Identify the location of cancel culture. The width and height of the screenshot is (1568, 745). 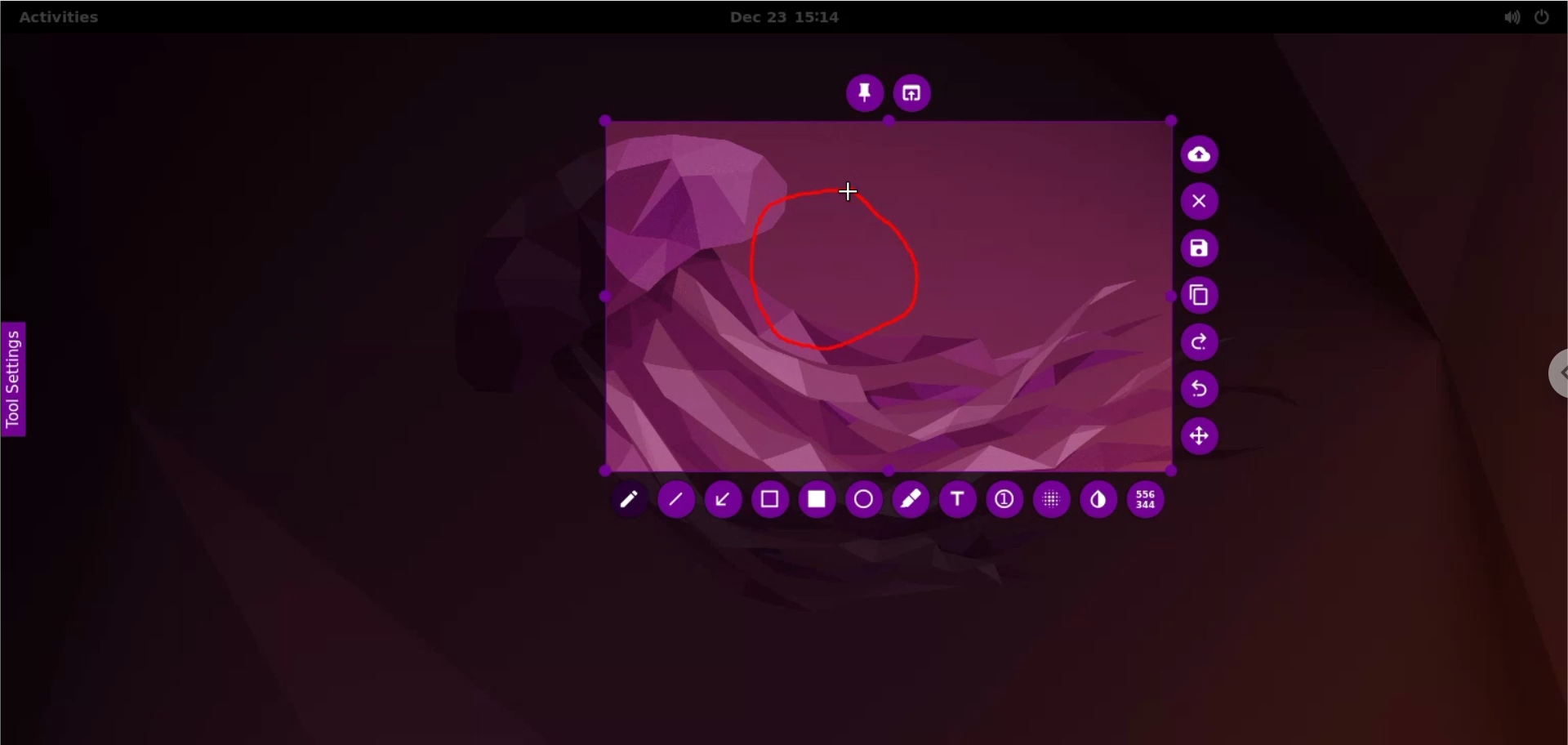
(1203, 203).